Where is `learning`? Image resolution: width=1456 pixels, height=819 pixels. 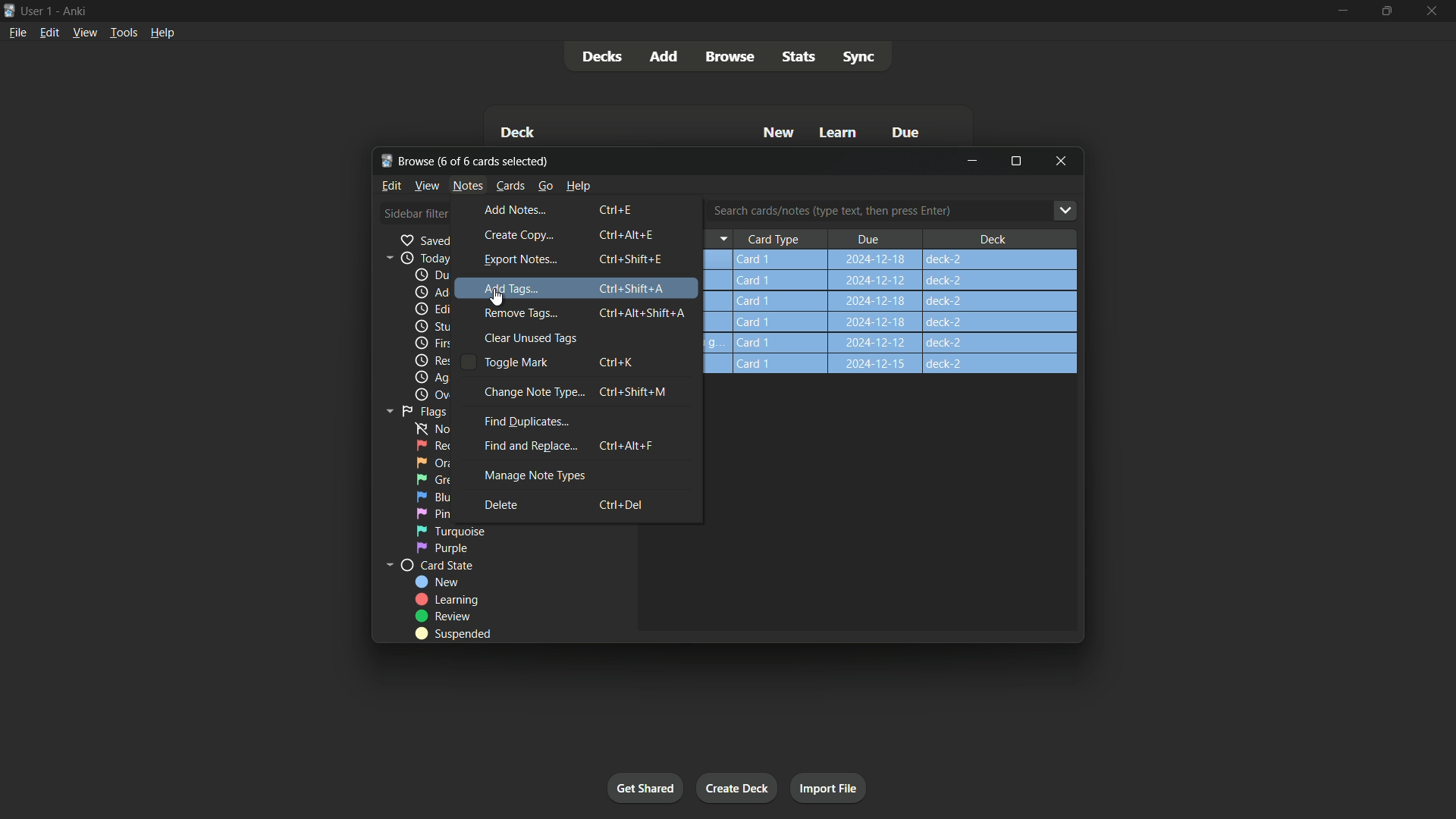 learning is located at coordinates (452, 599).